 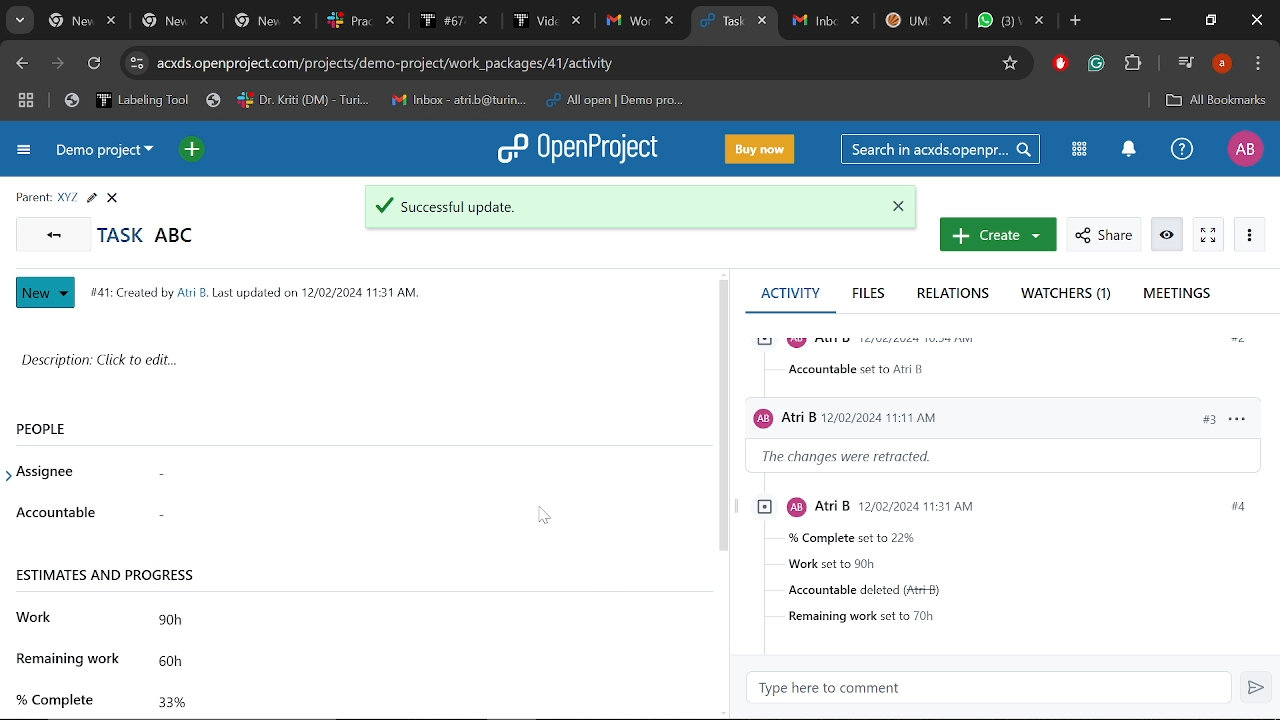 What do you see at coordinates (26, 102) in the screenshot?
I see `Tab groups` at bounding box center [26, 102].